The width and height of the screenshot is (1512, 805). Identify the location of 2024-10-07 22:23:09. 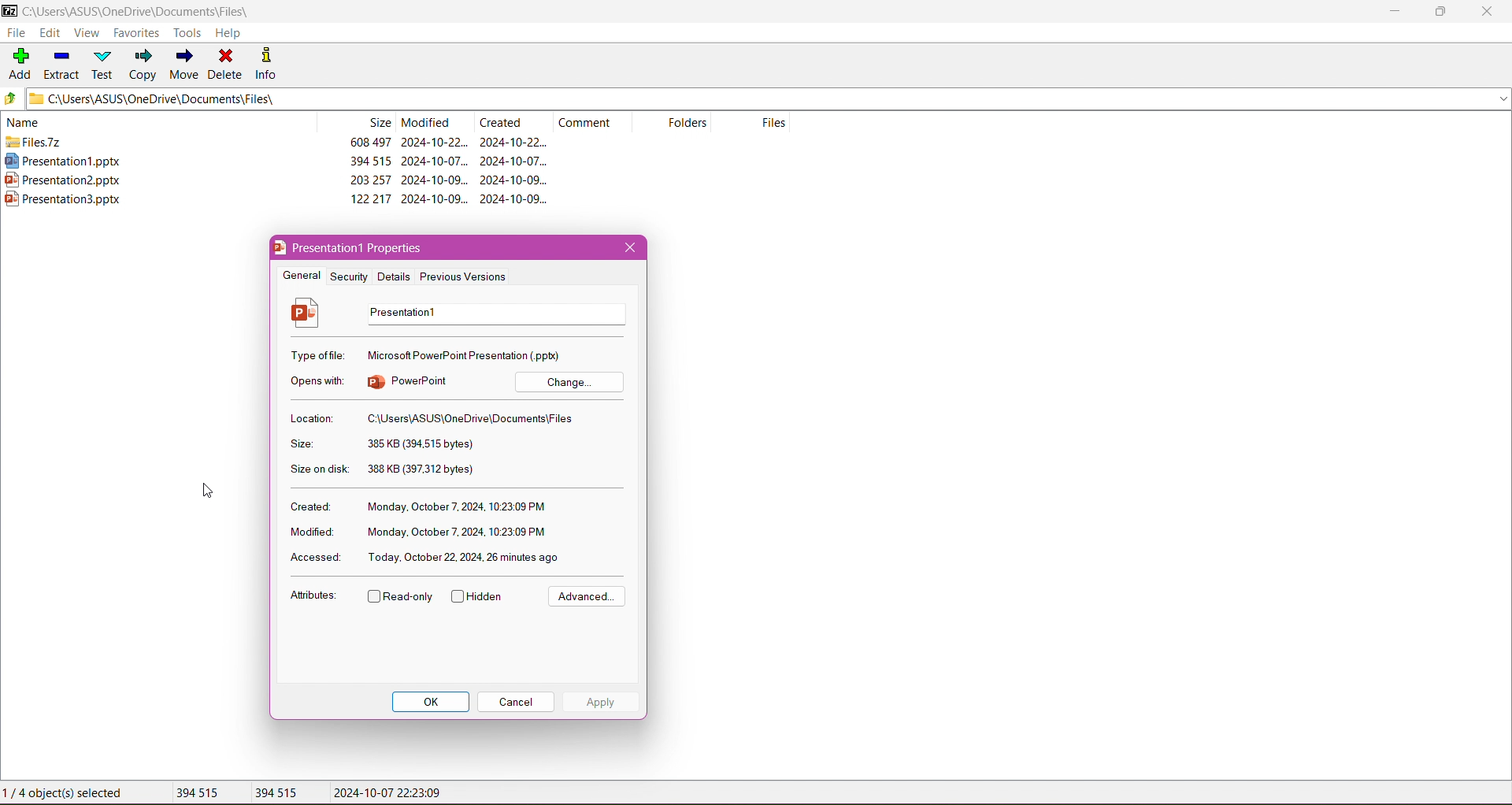
(387, 792).